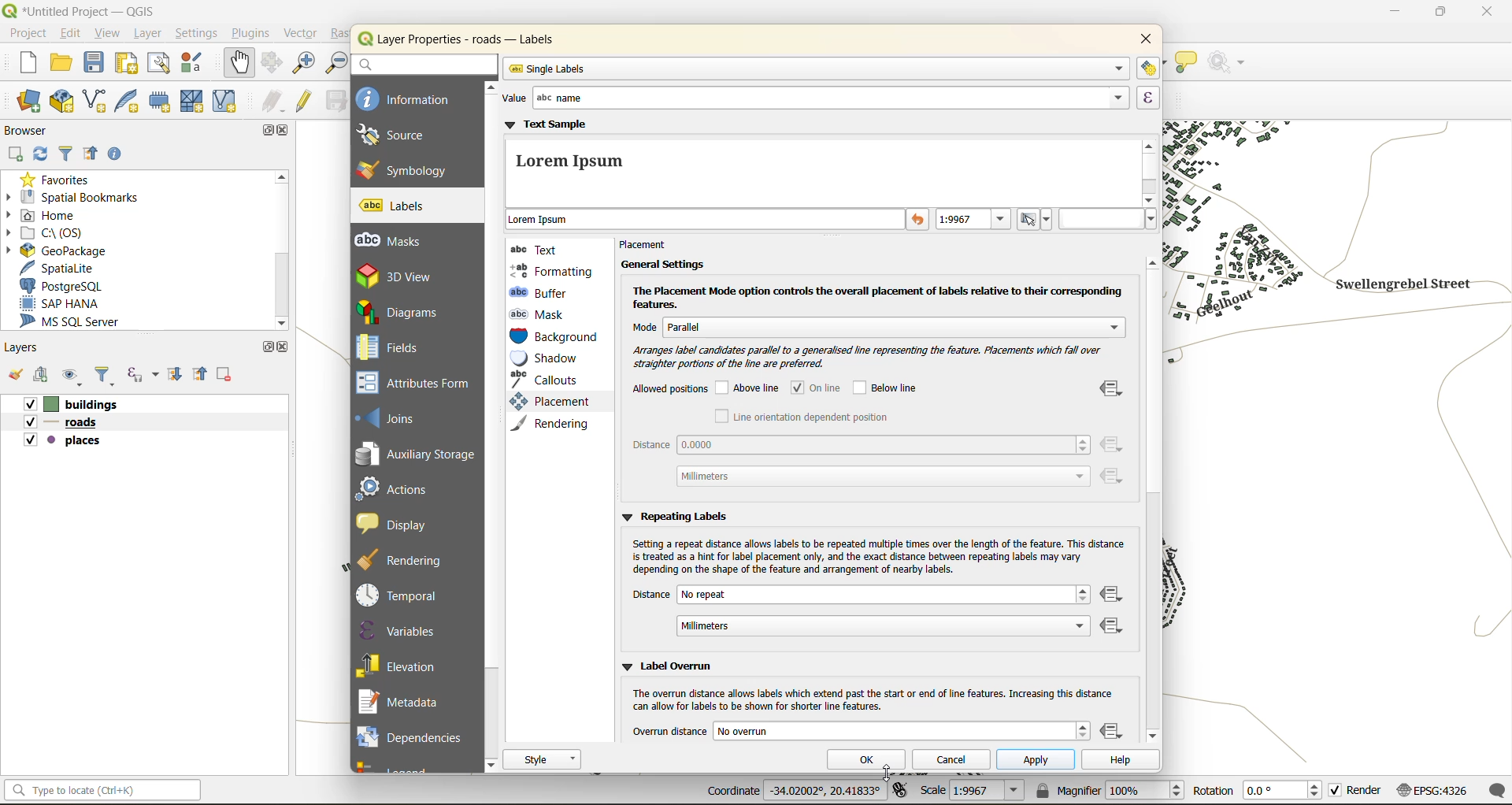 This screenshot has height=805, width=1512. Describe the element at coordinates (1108, 790) in the screenshot. I see `magnifier` at that location.